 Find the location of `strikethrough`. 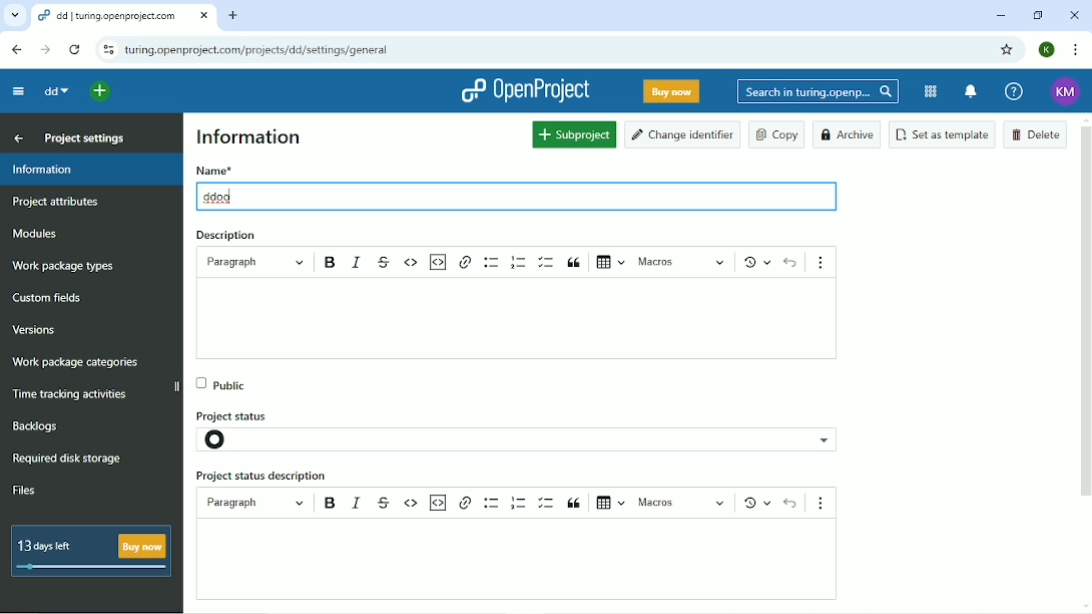

strikethrough is located at coordinates (385, 498).